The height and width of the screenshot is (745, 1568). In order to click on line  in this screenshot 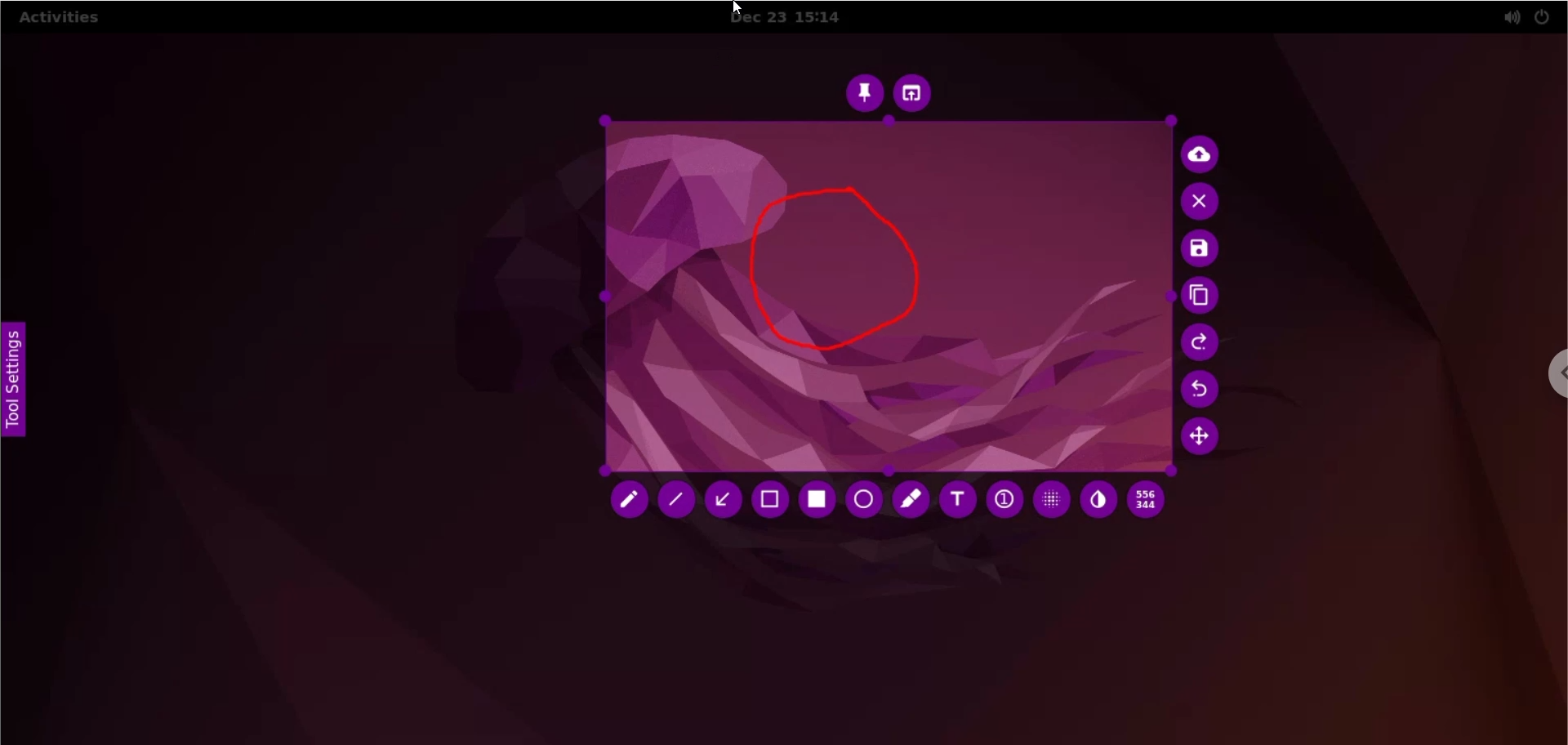, I will do `click(675, 500)`.